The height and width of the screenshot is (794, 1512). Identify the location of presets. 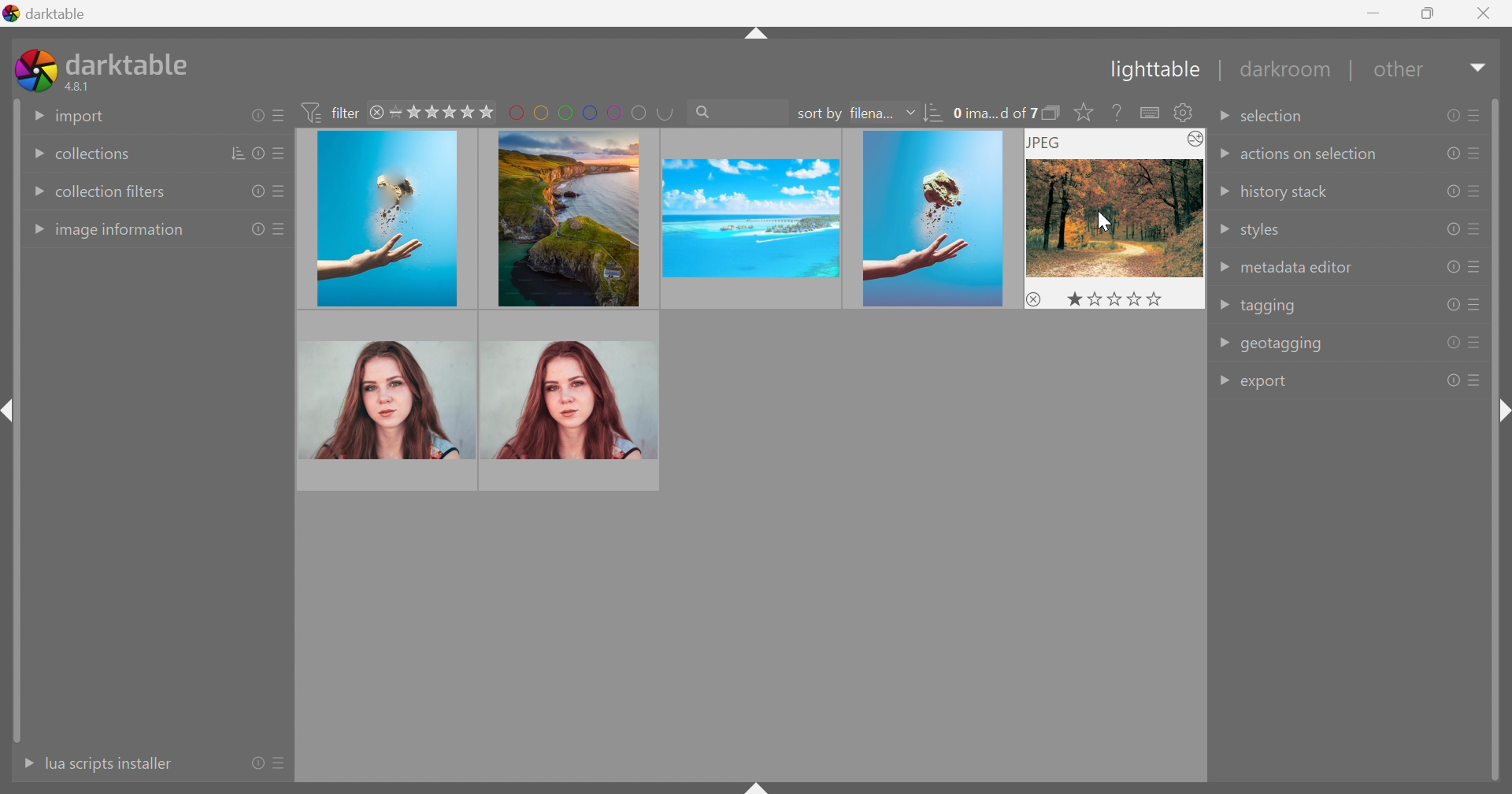
(1477, 382).